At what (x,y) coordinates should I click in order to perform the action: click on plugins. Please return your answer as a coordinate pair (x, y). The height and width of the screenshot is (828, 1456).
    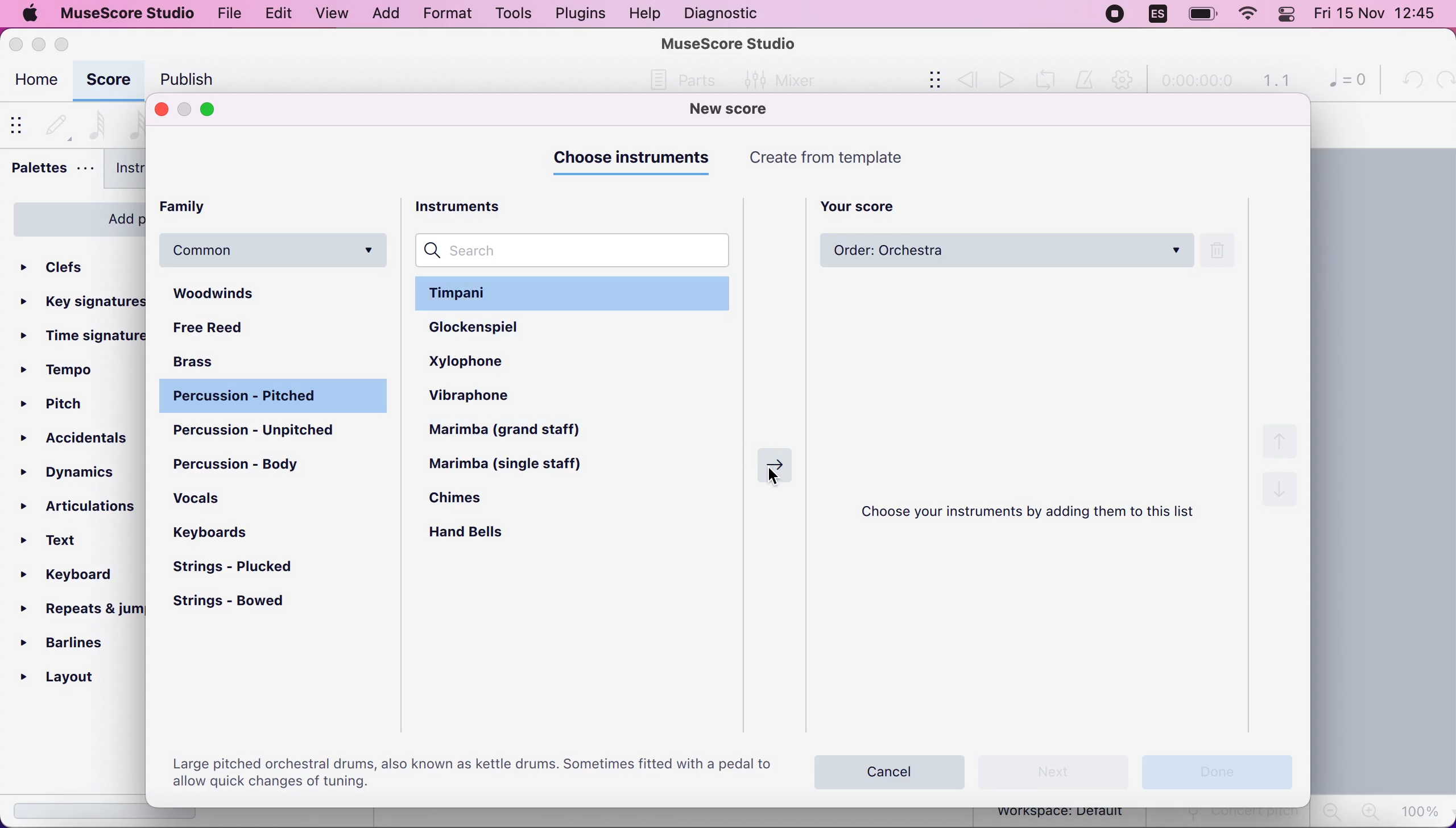
    Looking at the image, I should click on (579, 14).